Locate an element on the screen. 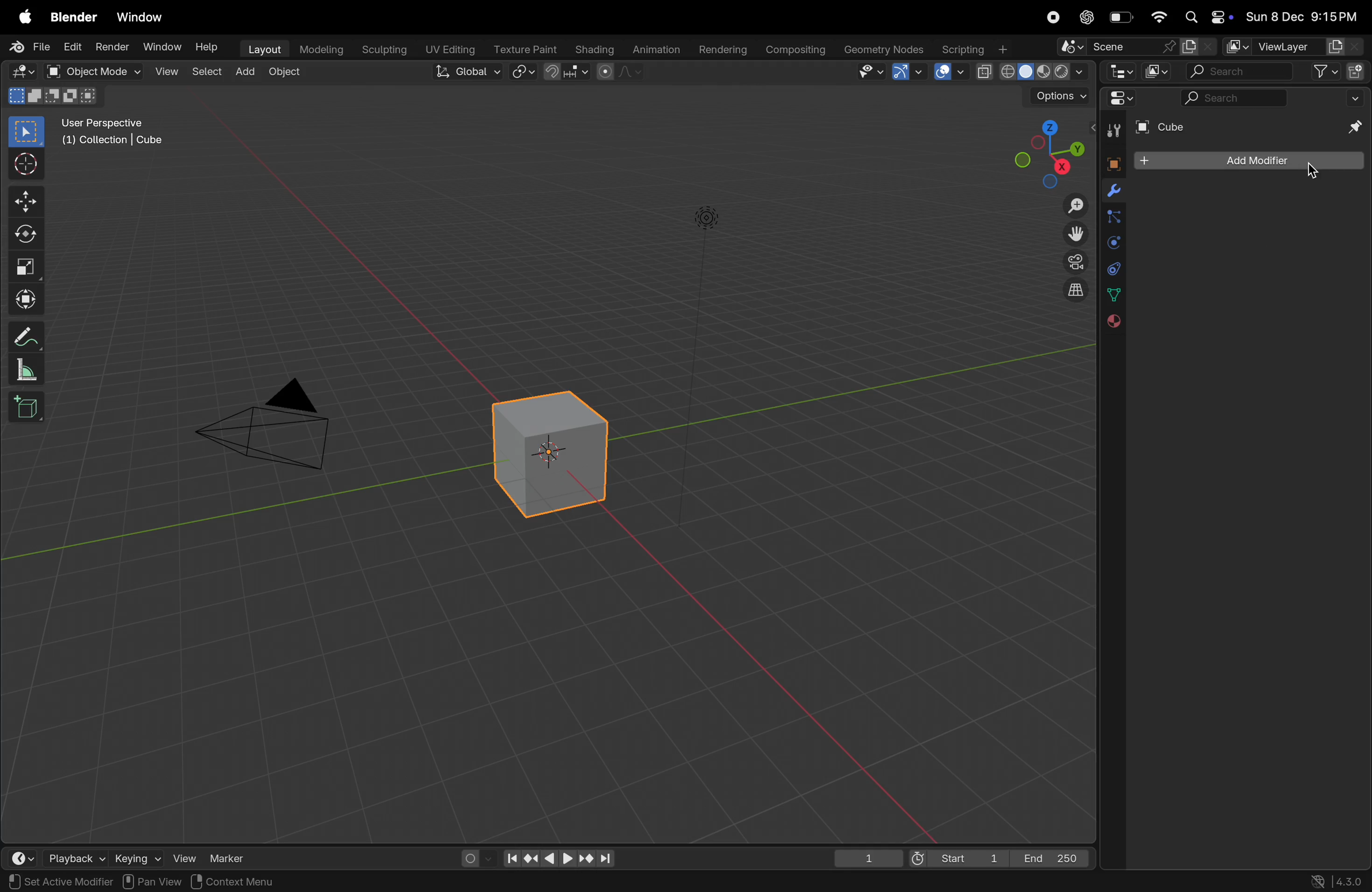  edit is located at coordinates (71, 47).